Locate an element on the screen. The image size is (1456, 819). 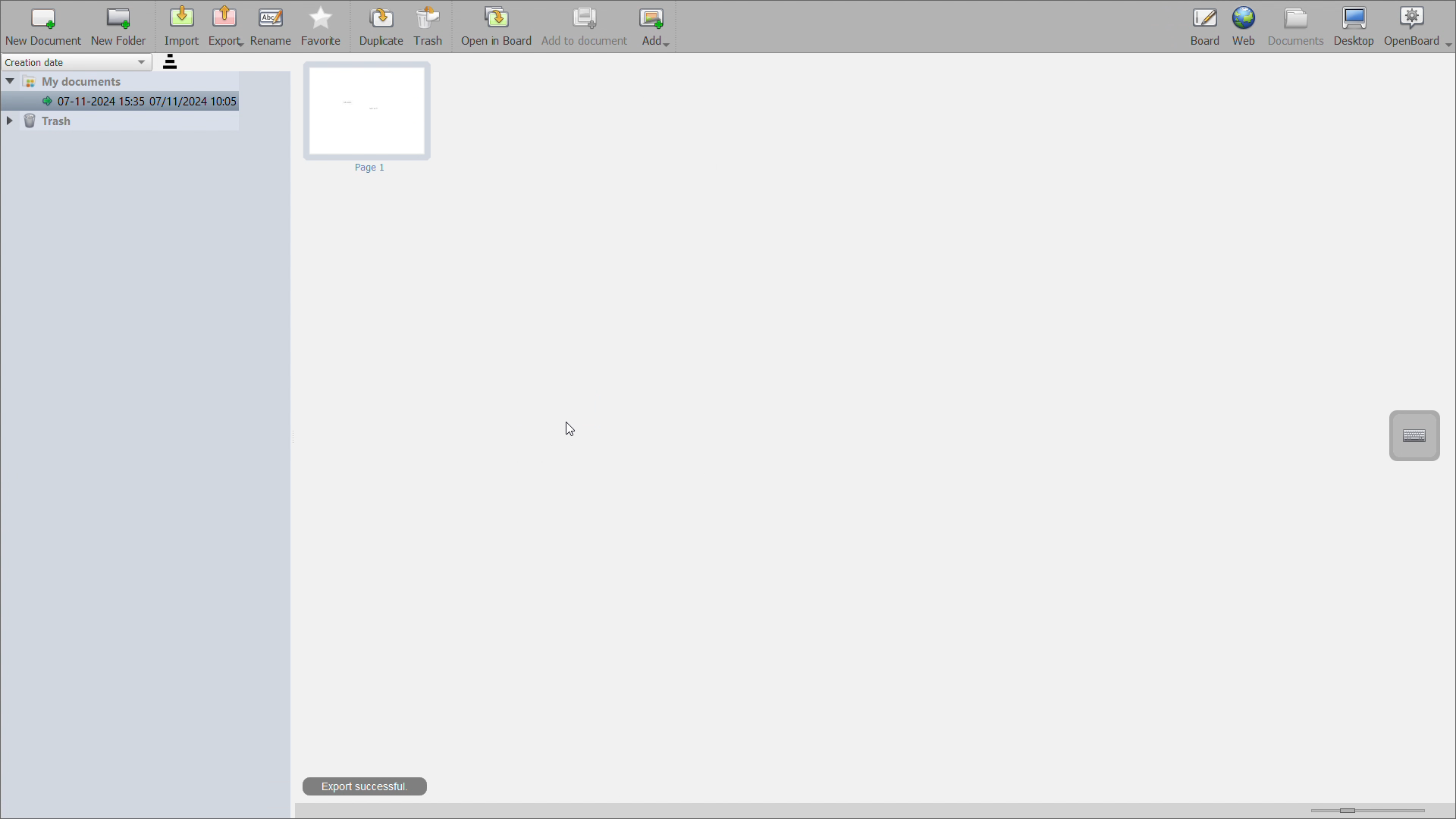
sort order is located at coordinates (171, 62).